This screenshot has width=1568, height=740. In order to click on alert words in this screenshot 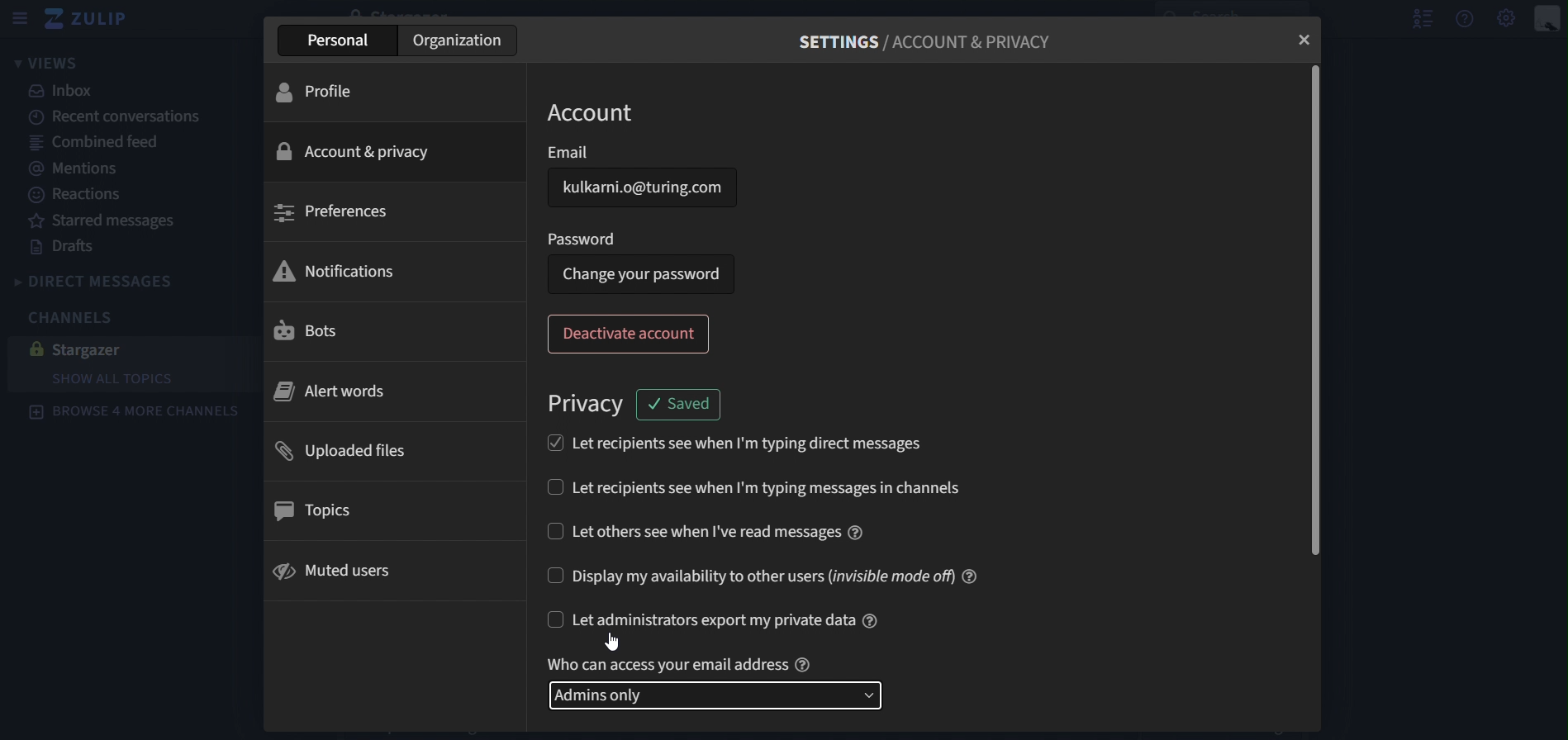, I will do `click(328, 391)`.